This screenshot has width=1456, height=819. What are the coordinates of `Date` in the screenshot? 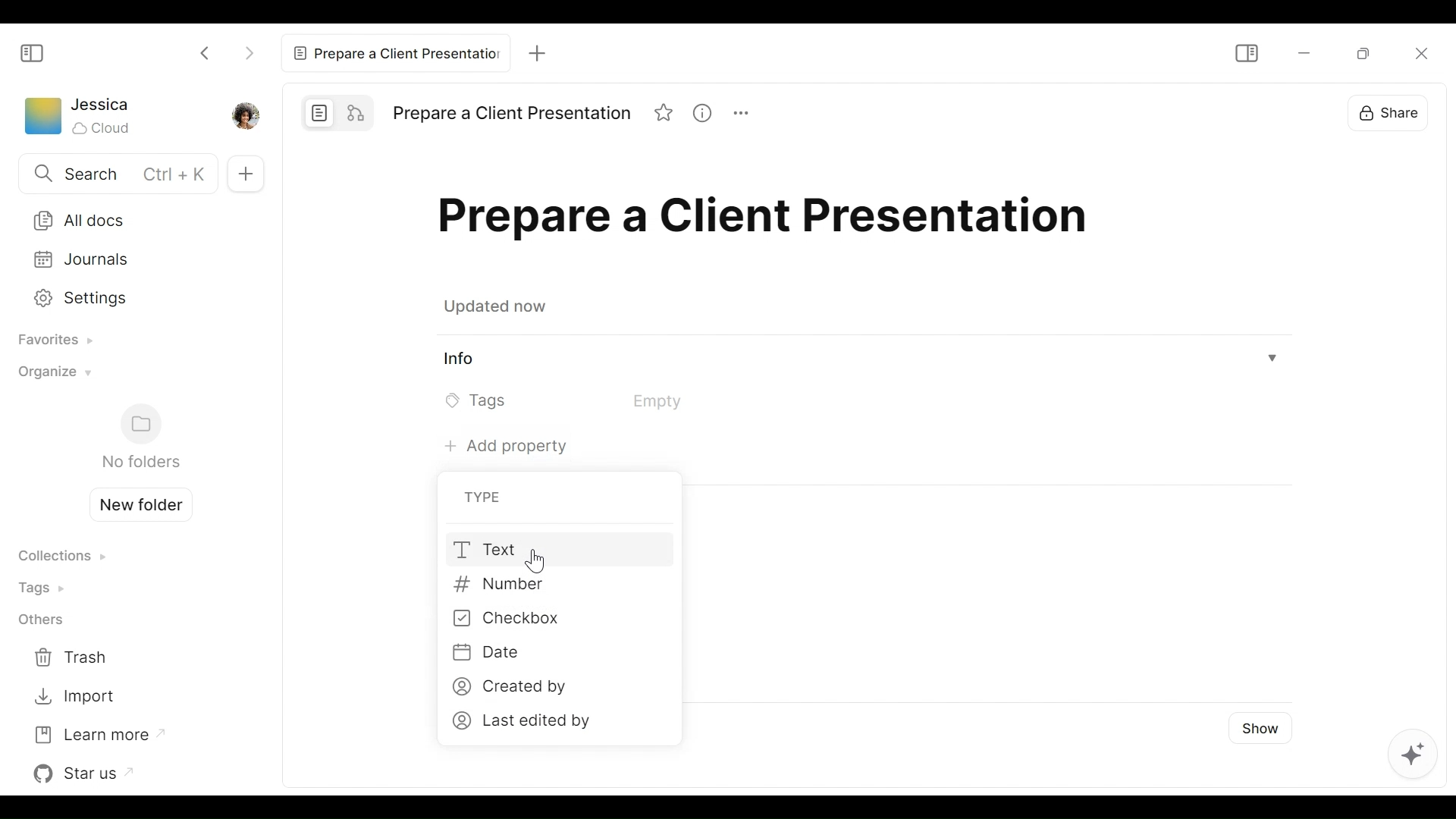 It's located at (554, 652).